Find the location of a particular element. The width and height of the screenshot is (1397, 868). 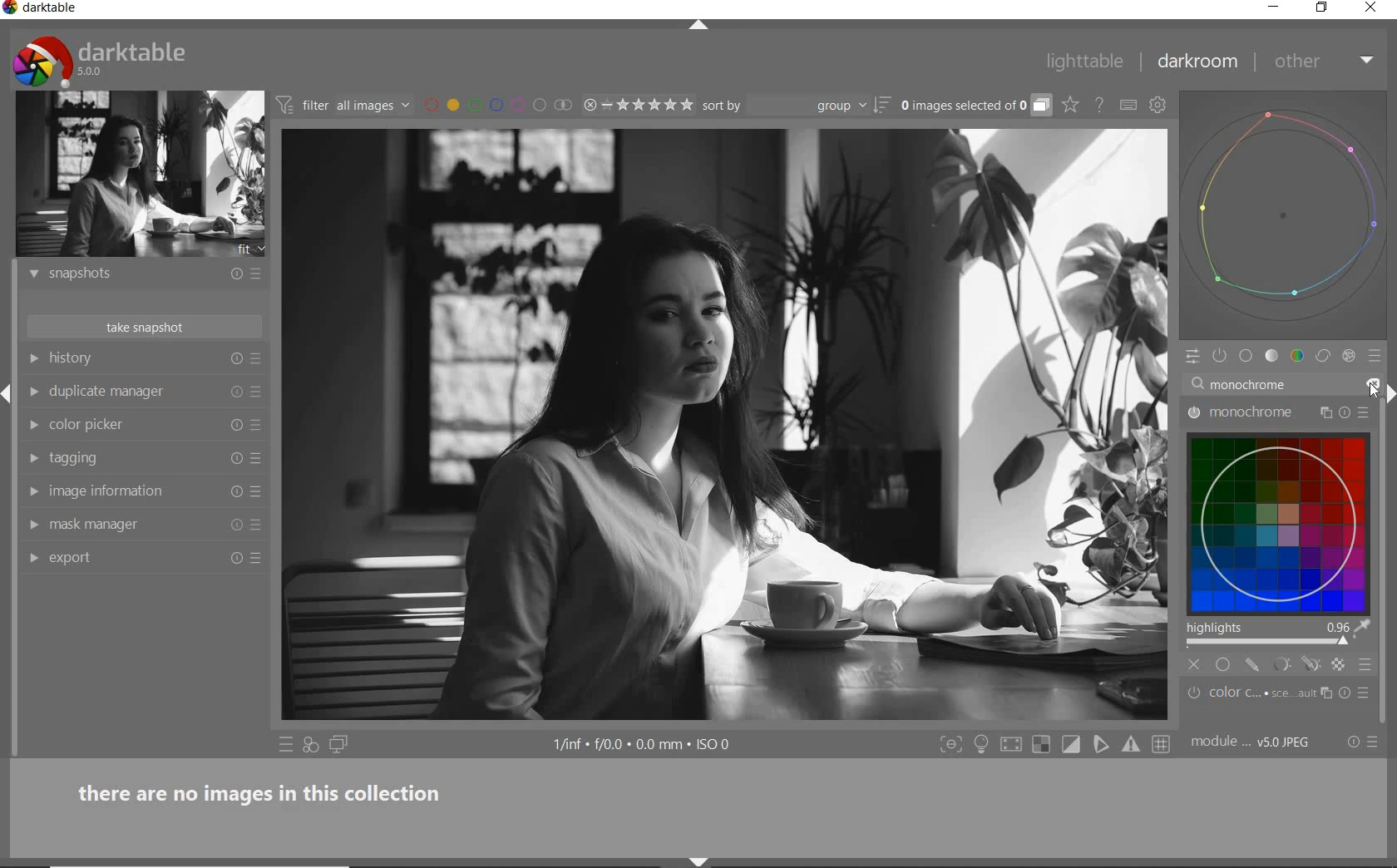

toggle high quality processing is located at coordinates (1013, 745).